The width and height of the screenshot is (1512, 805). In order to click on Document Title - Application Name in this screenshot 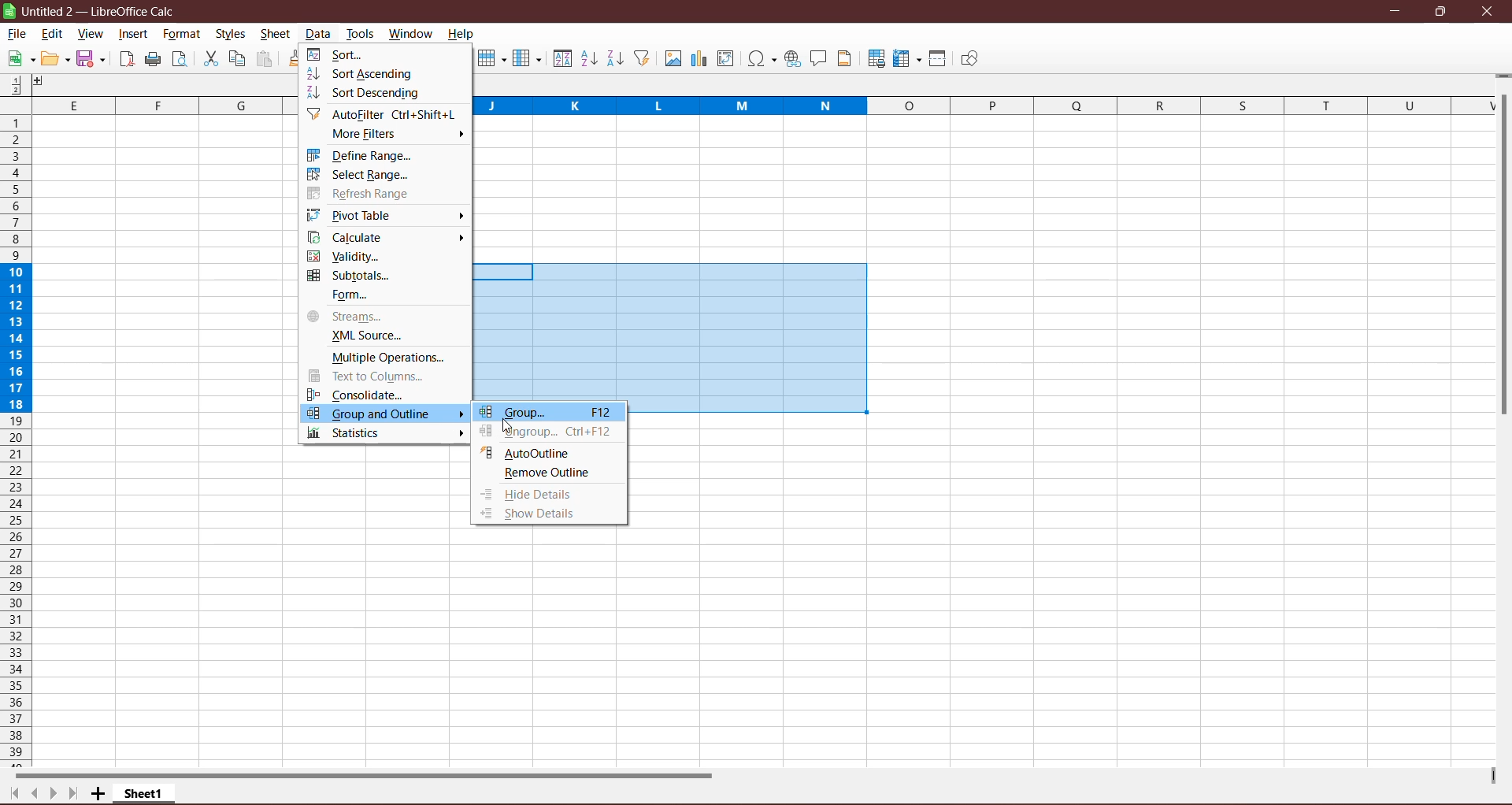, I will do `click(103, 11)`.